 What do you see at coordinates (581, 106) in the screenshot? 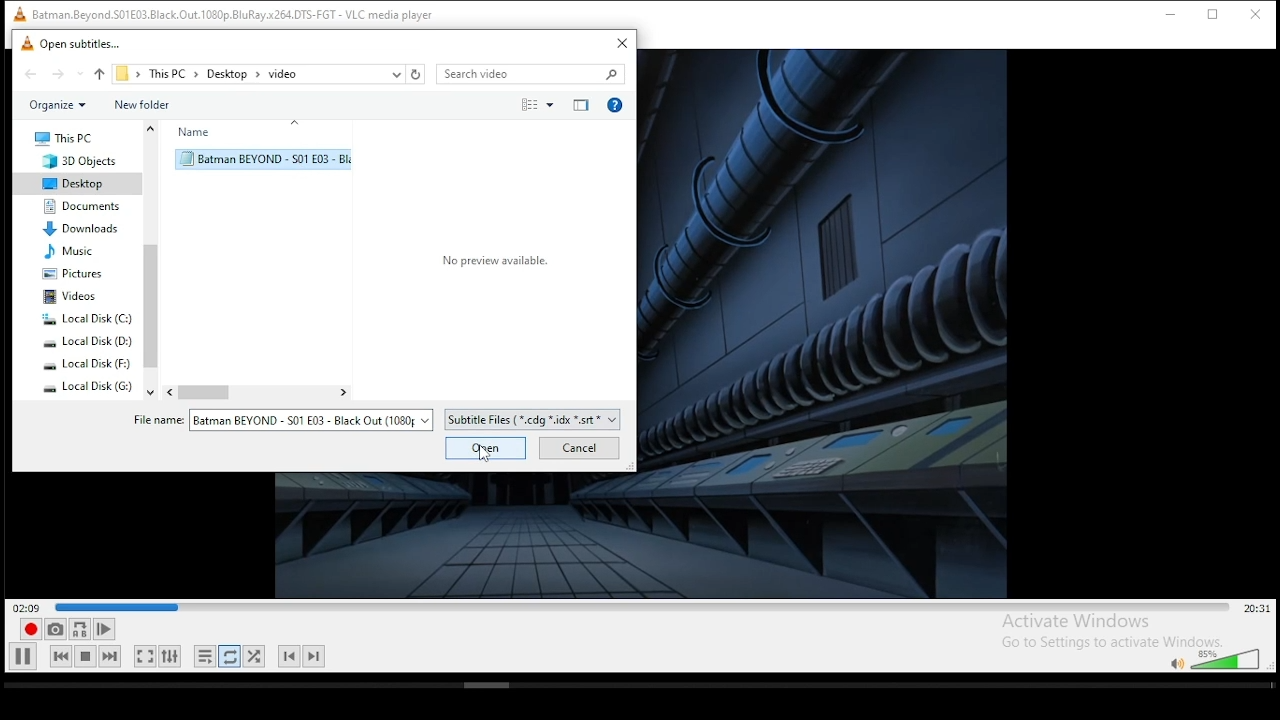
I see `close preview pane` at bounding box center [581, 106].